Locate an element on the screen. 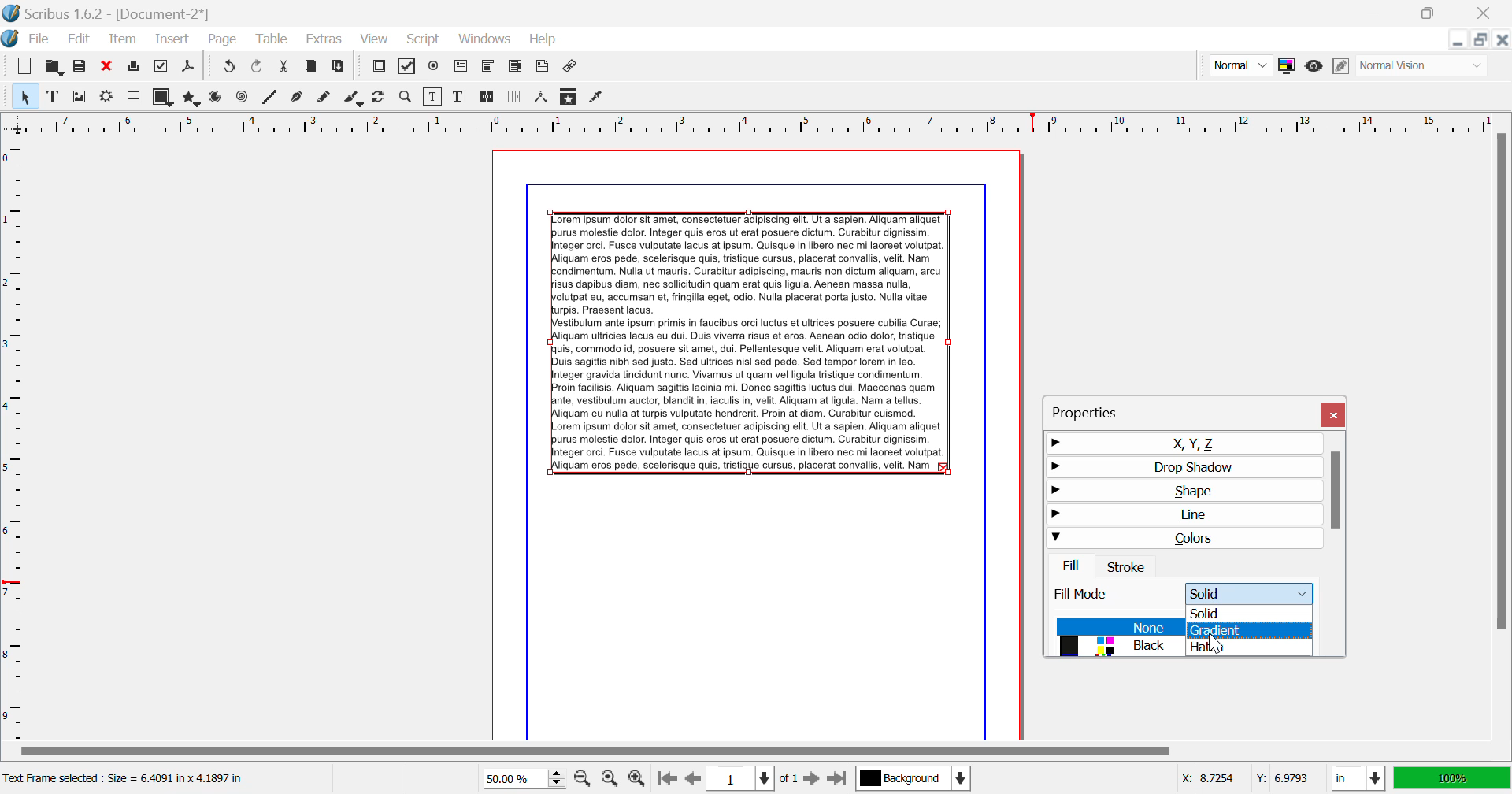 The image size is (1512, 794). Page Rotation is located at coordinates (382, 98).